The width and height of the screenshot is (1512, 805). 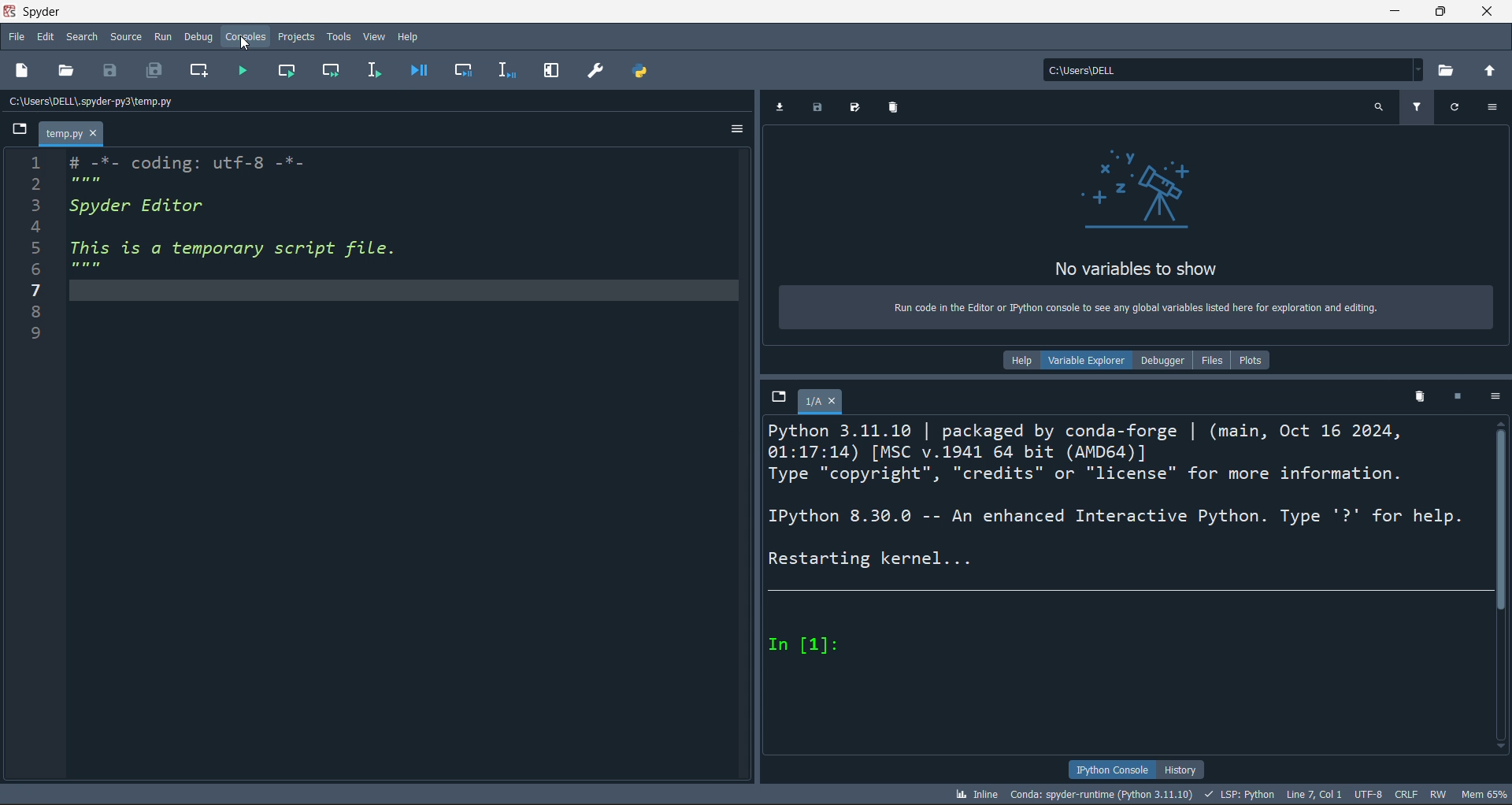 I want to click on c:\users\dell, so click(x=1231, y=67).